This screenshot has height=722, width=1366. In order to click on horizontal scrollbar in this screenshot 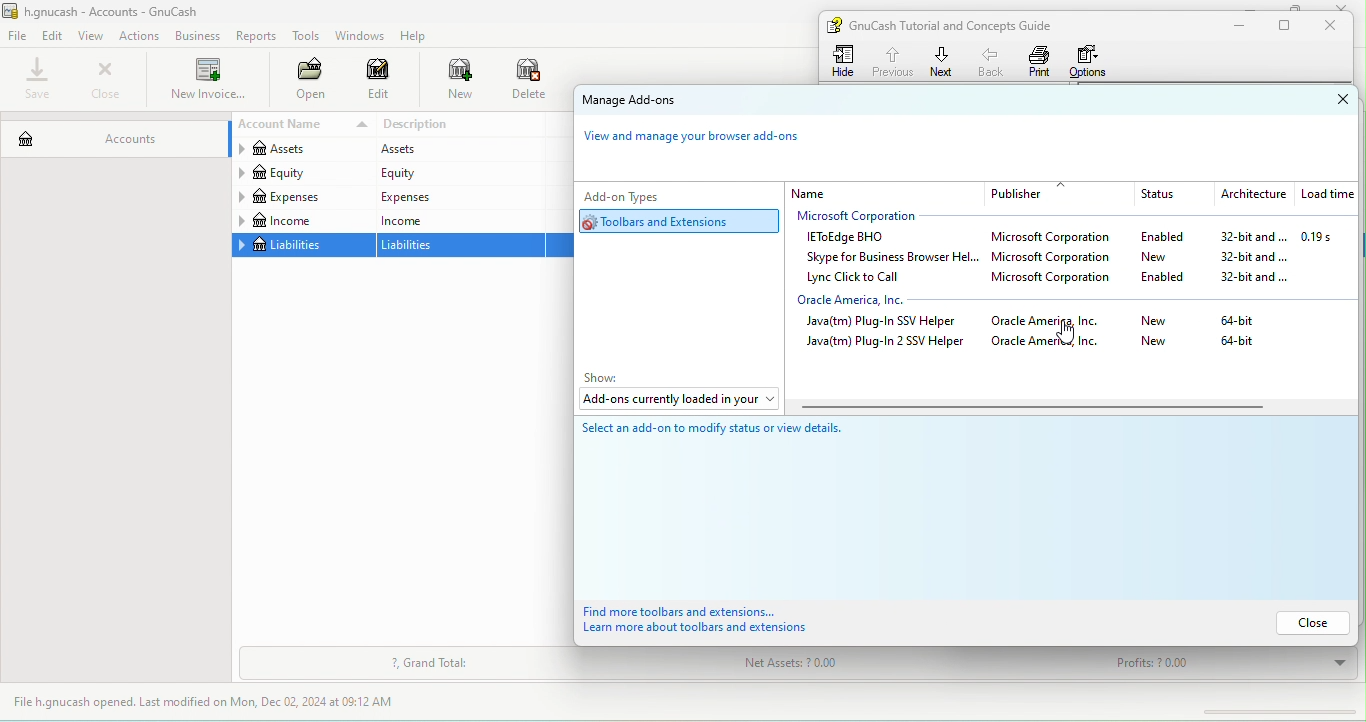, I will do `click(1030, 408)`.